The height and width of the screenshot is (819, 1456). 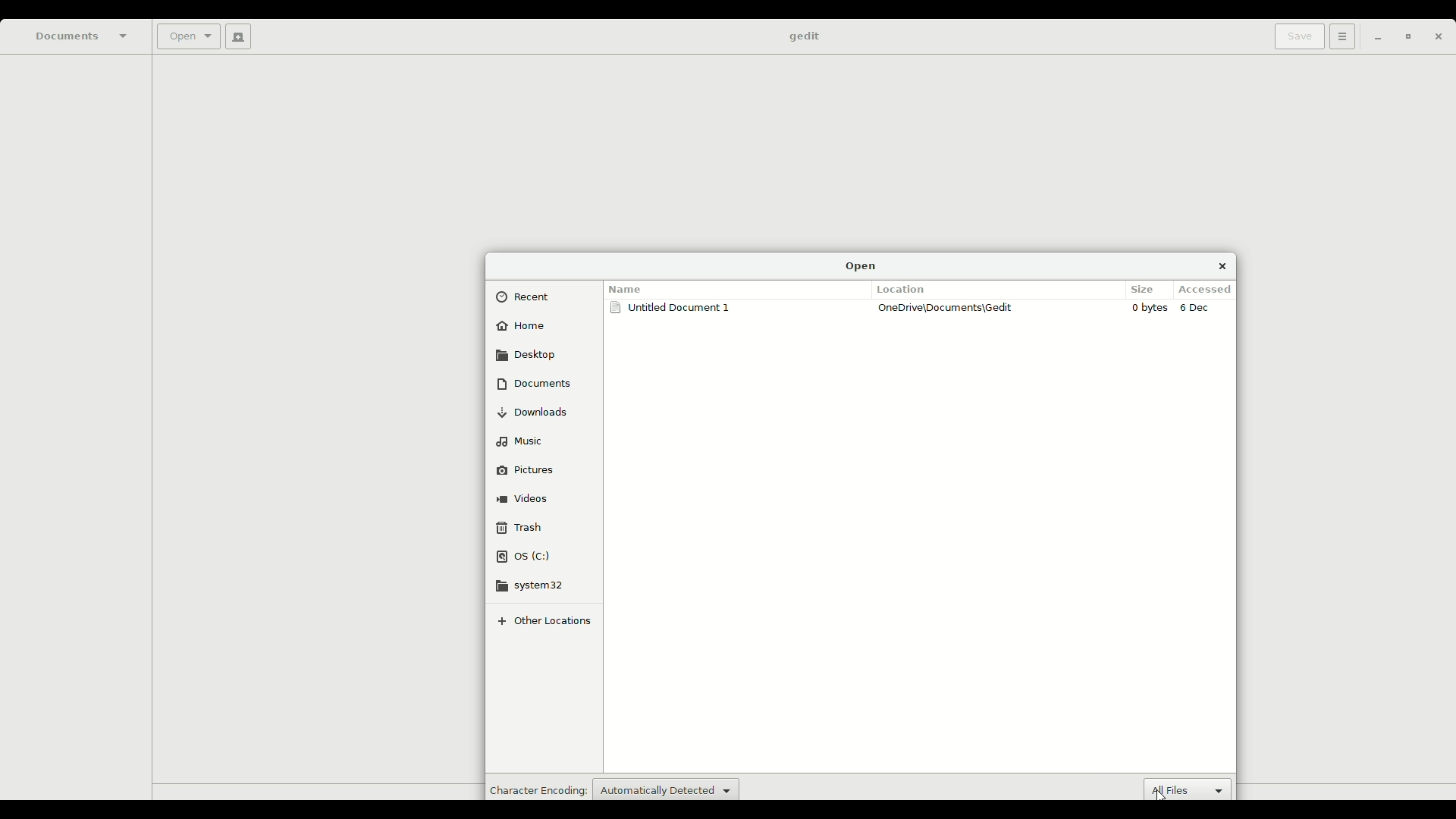 What do you see at coordinates (549, 620) in the screenshot?
I see `Other locations` at bounding box center [549, 620].